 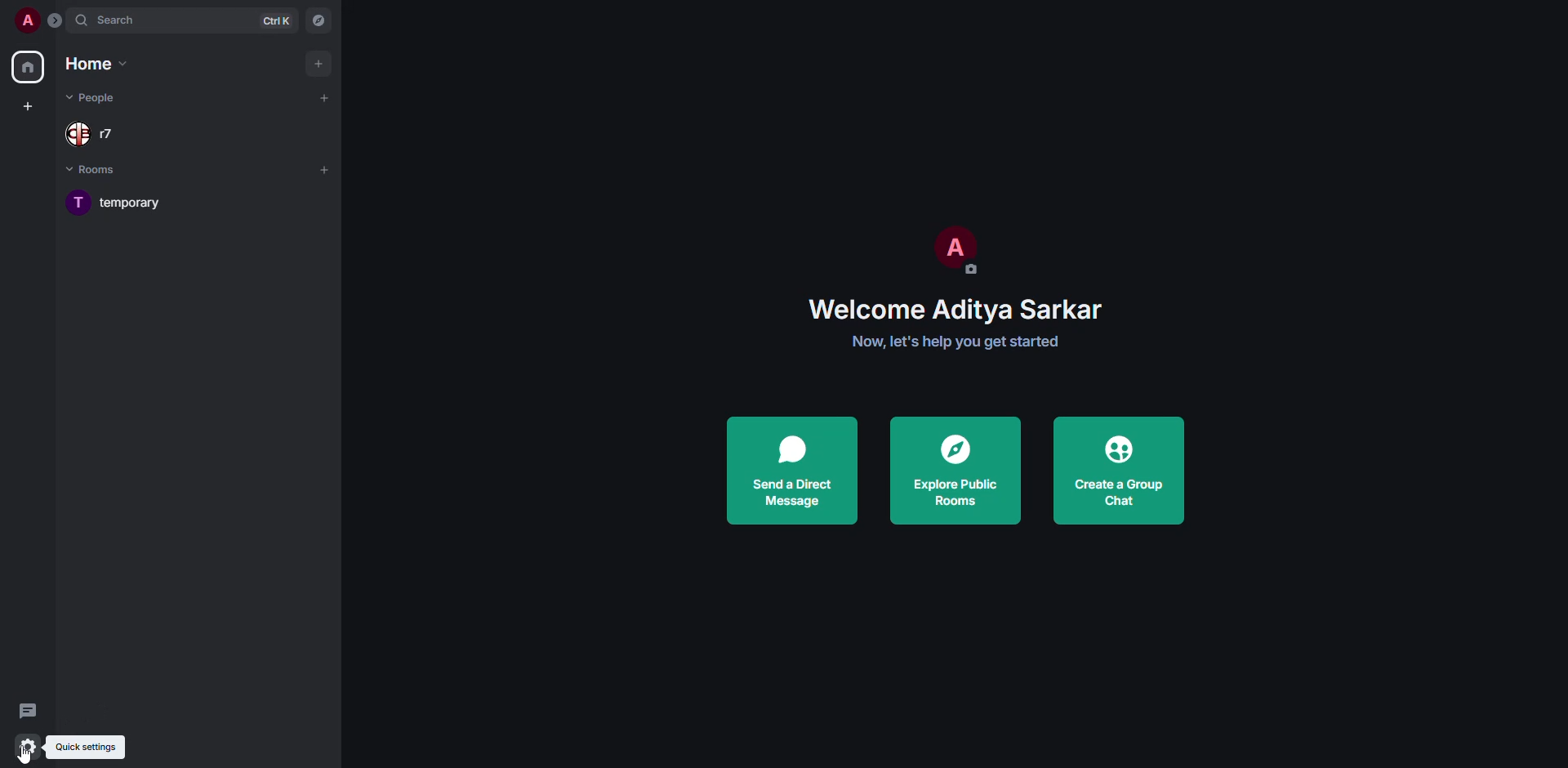 What do you see at coordinates (956, 310) in the screenshot?
I see `welcome` at bounding box center [956, 310].